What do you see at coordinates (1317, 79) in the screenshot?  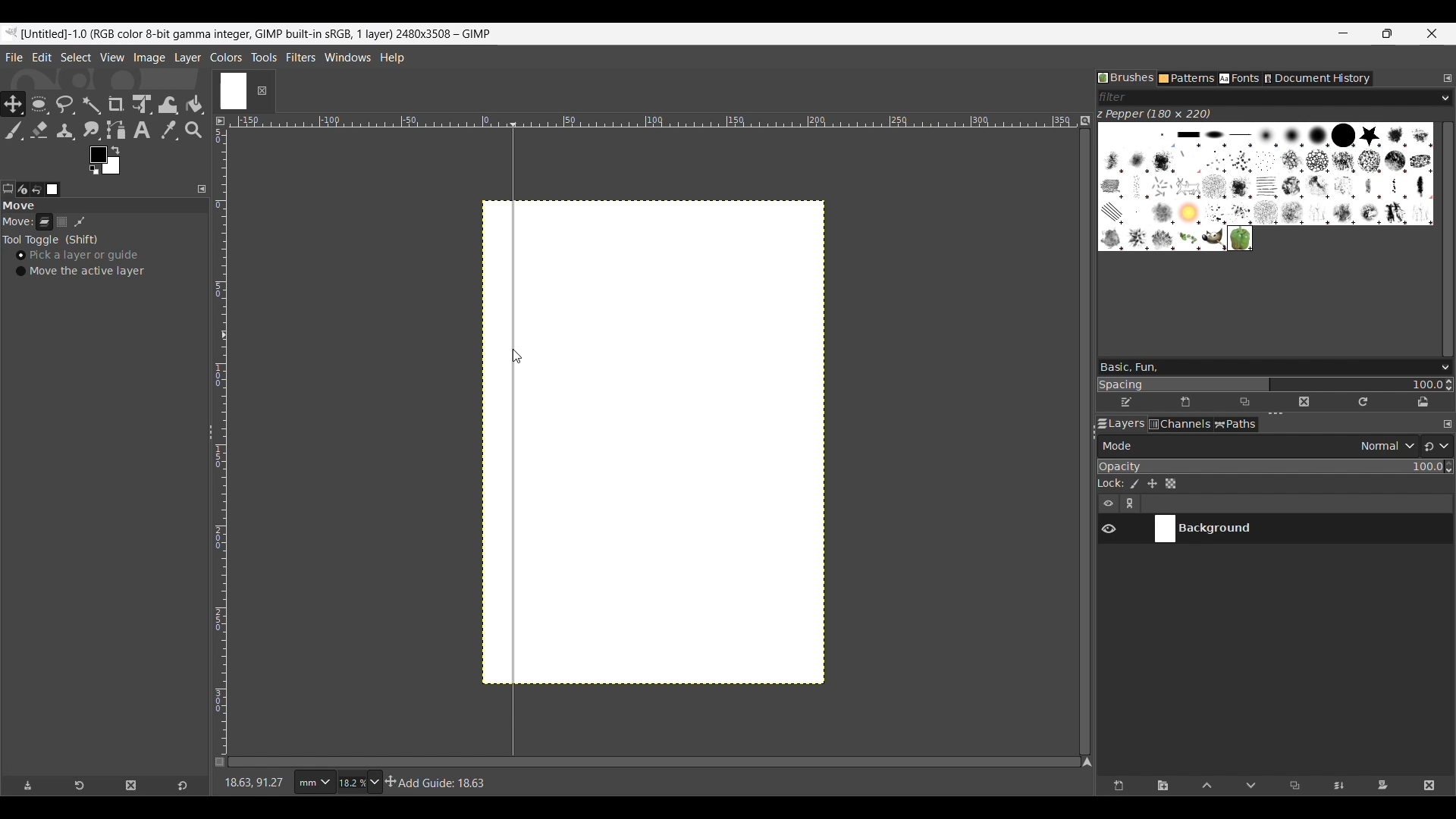 I see `Document history tab` at bounding box center [1317, 79].